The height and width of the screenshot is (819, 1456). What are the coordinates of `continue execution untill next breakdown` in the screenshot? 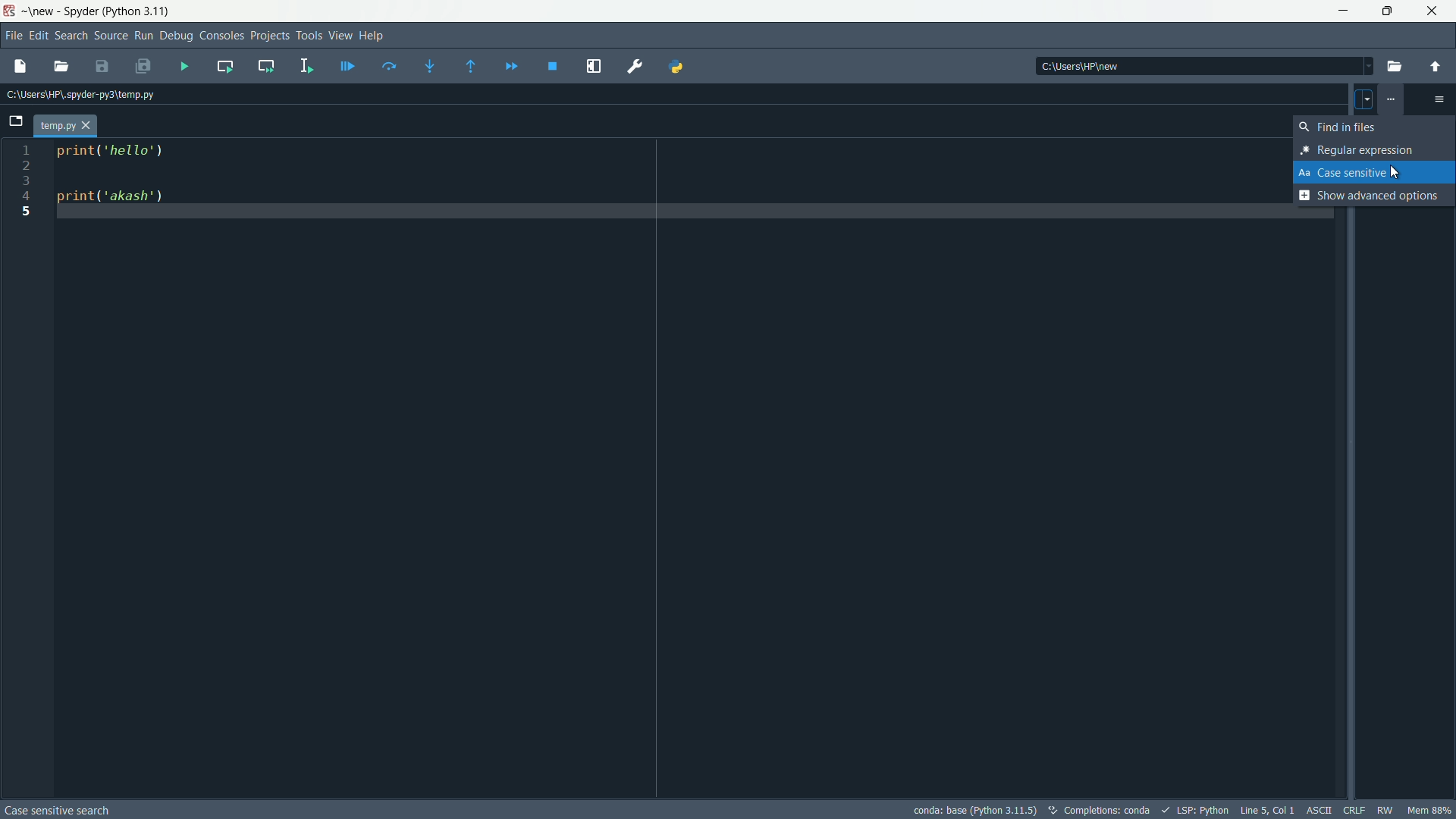 It's located at (511, 68).